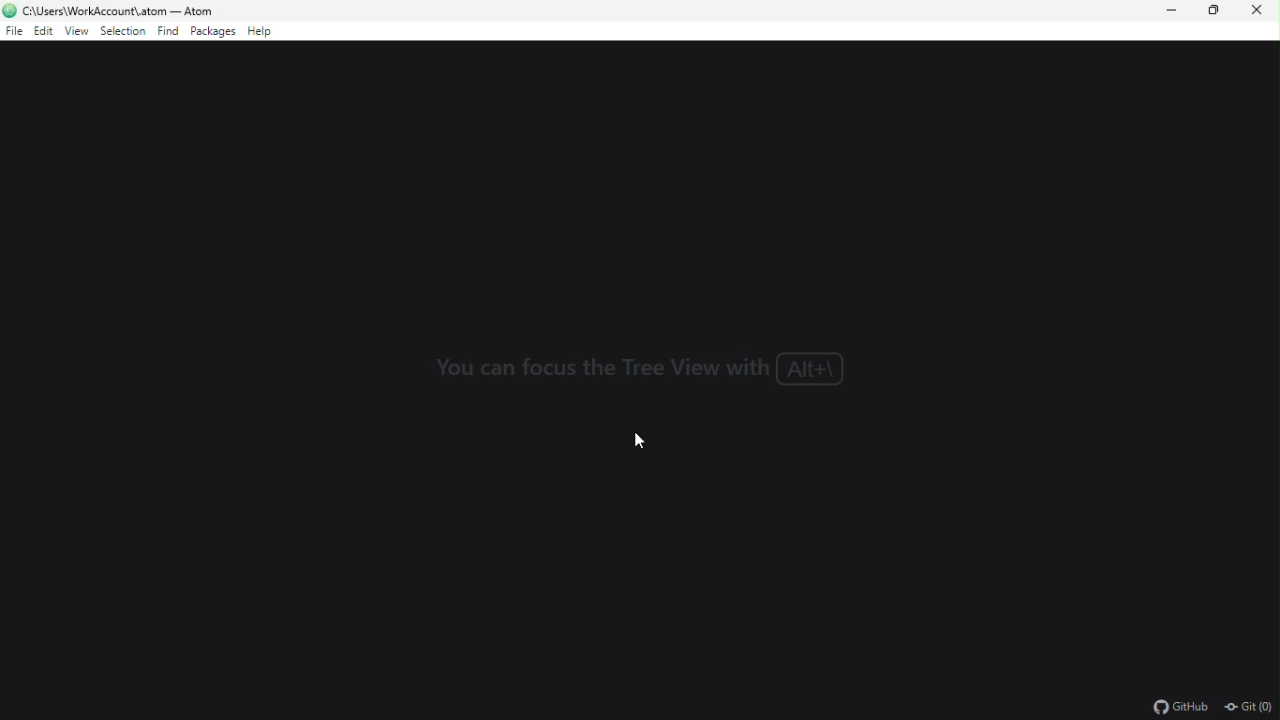 The image size is (1280, 720). What do you see at coordinates (1216, 14) in the screenshot?
I see `restore` at bounding box center [1216, 14].